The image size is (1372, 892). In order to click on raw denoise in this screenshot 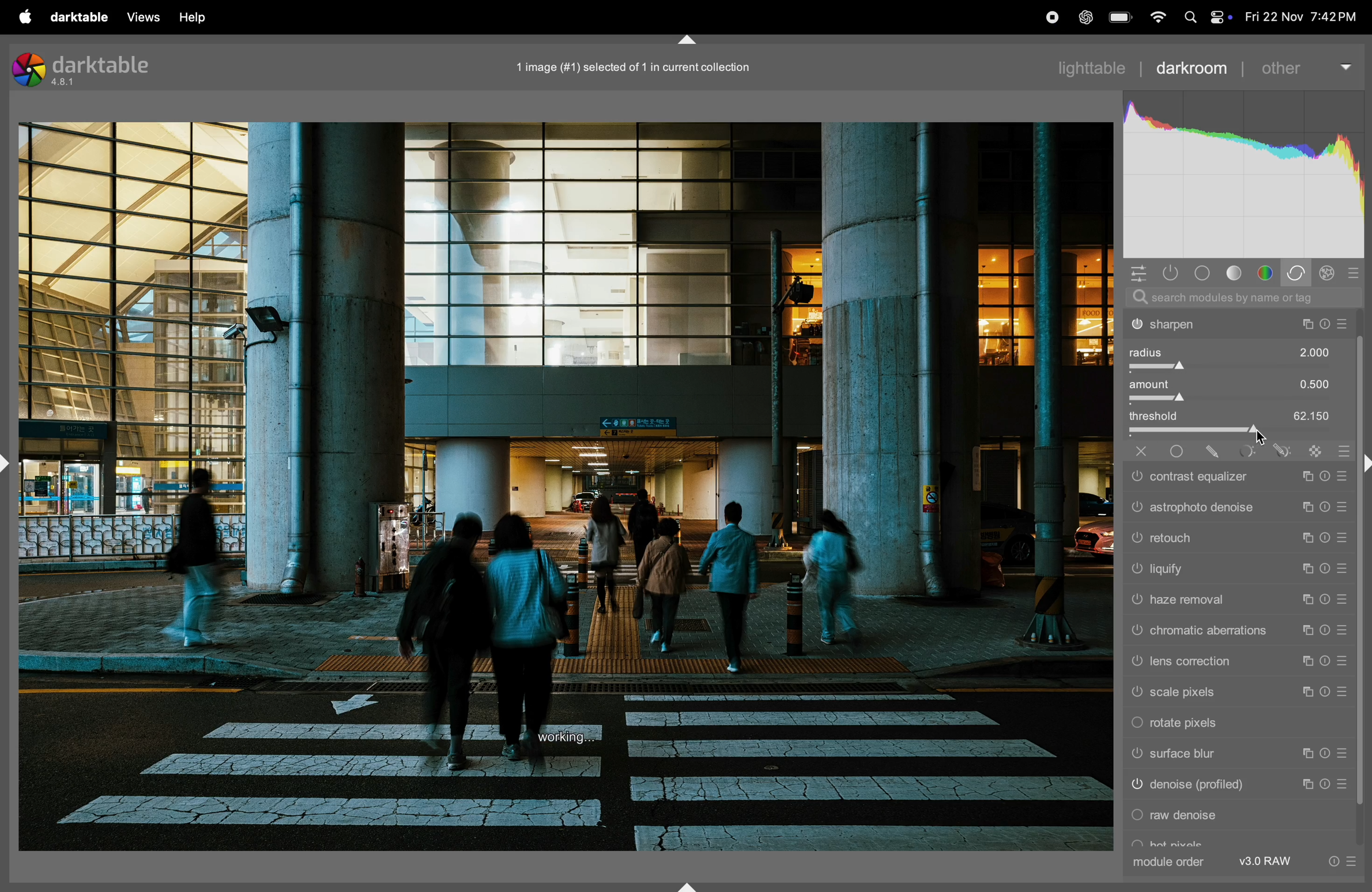, I will do `click(1238, 818)`.